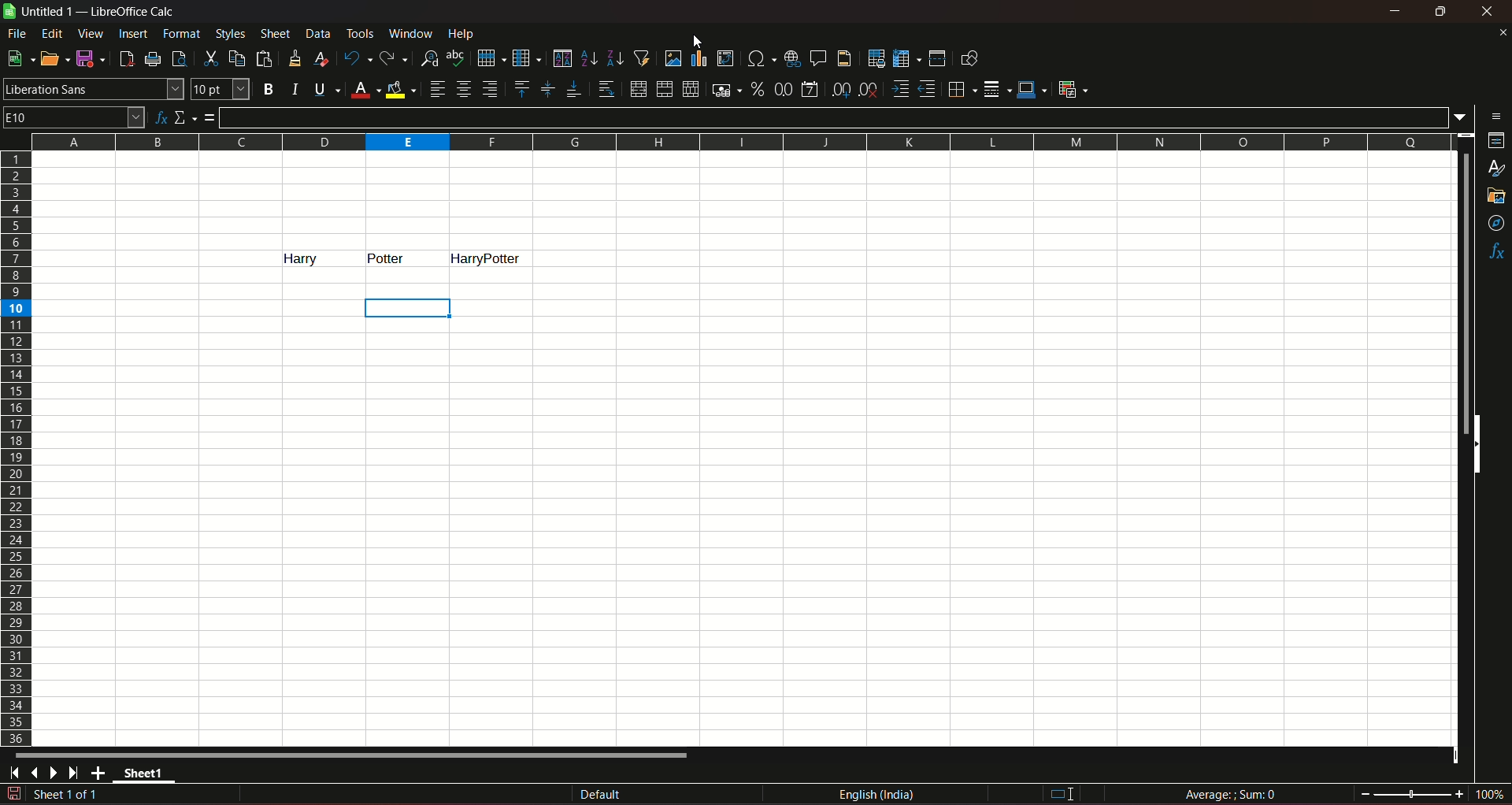  I want to click on format as currency, so click(725, 90).